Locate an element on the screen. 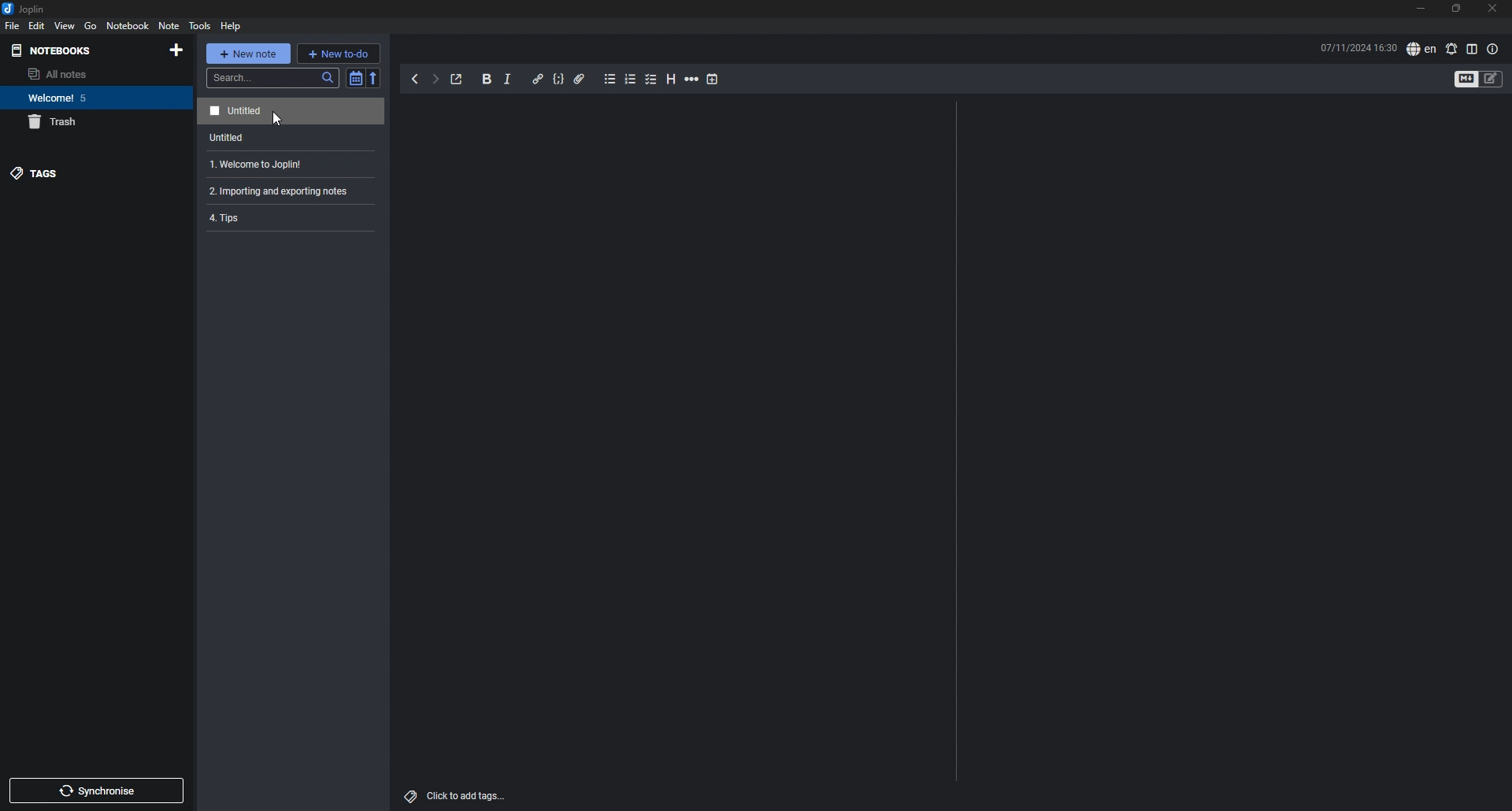  add notebook is located at coordinates (176, 50).